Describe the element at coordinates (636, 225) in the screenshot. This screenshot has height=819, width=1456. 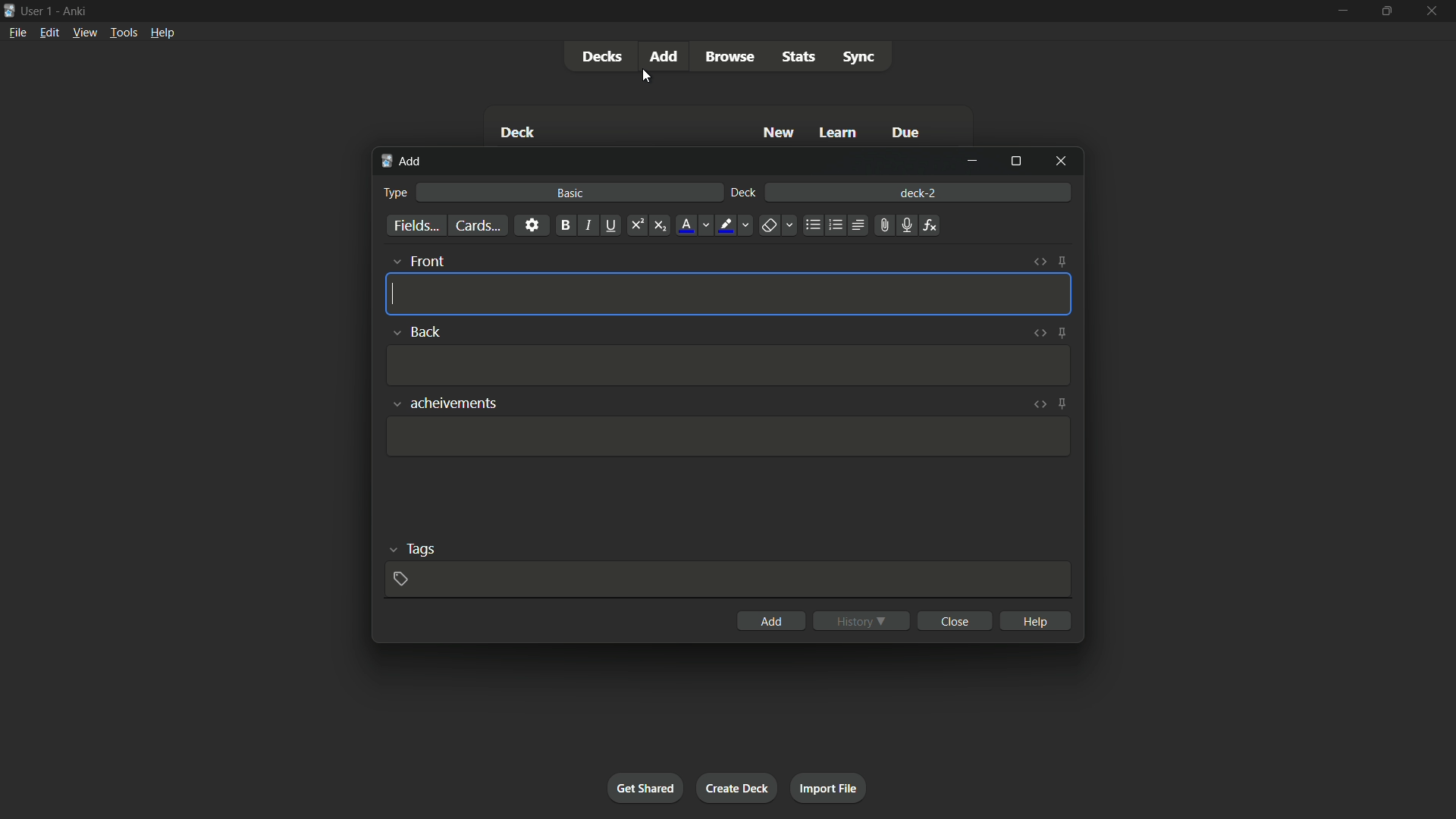
I see `superscript` at that location.